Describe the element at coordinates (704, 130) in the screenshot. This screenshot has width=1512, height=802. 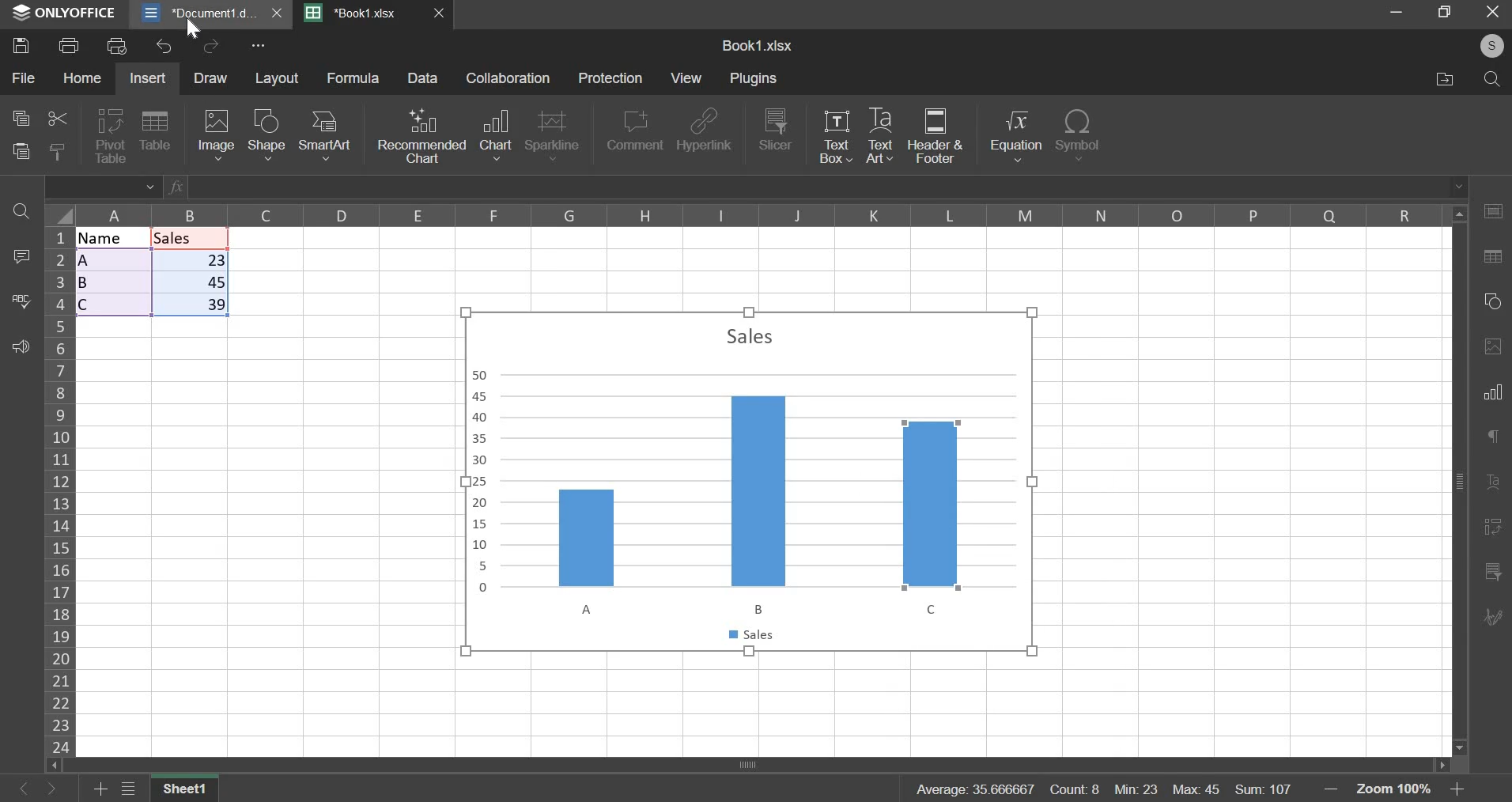
I see `hyperlink` at that location.